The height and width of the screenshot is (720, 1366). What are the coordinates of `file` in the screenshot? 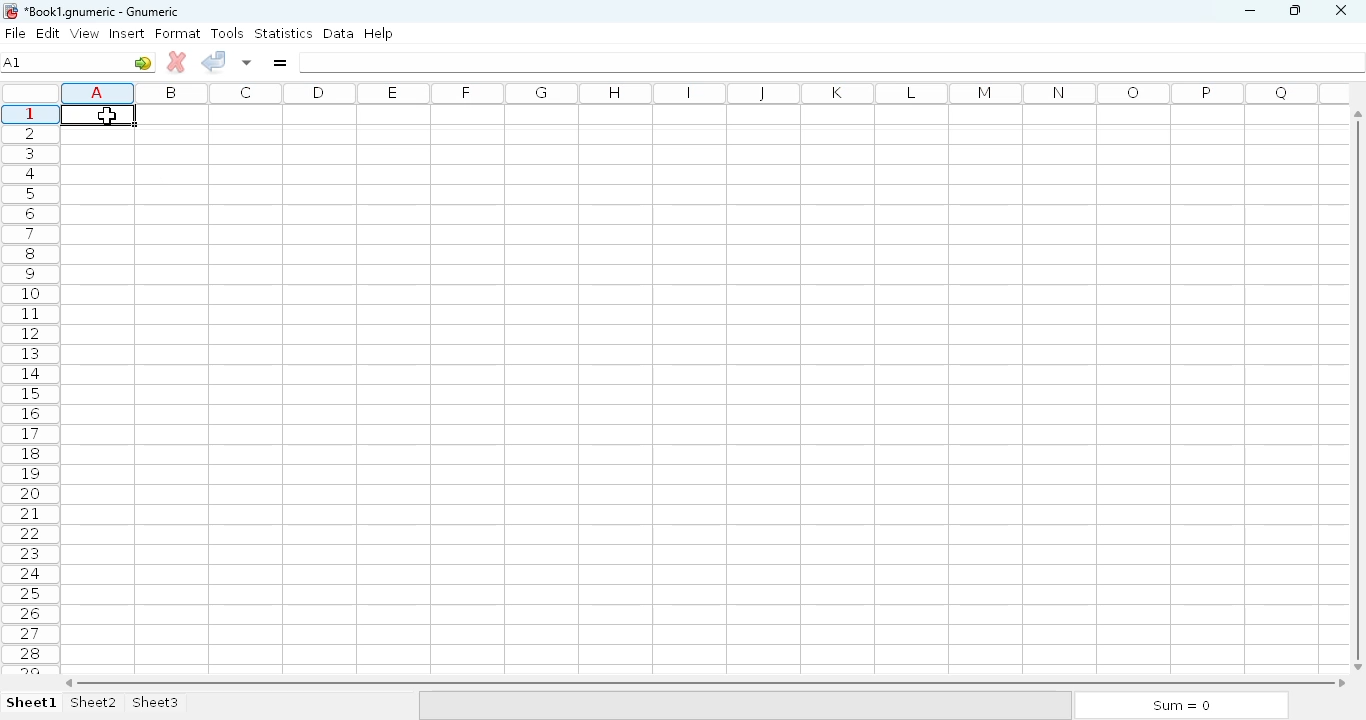 It's located at (15, 33).